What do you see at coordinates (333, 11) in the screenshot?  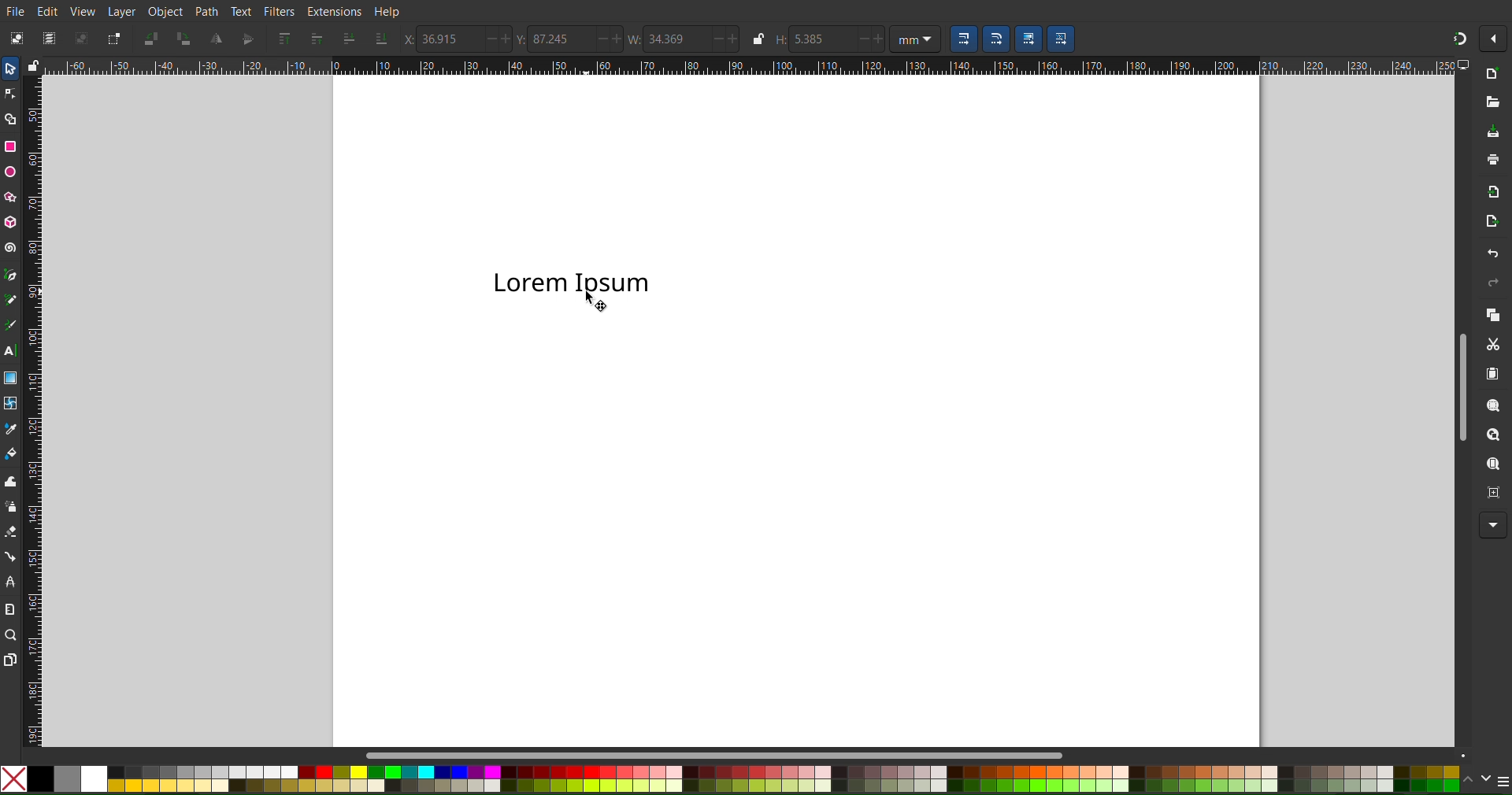 I see `Extensions` at bounding box center [333, 11].